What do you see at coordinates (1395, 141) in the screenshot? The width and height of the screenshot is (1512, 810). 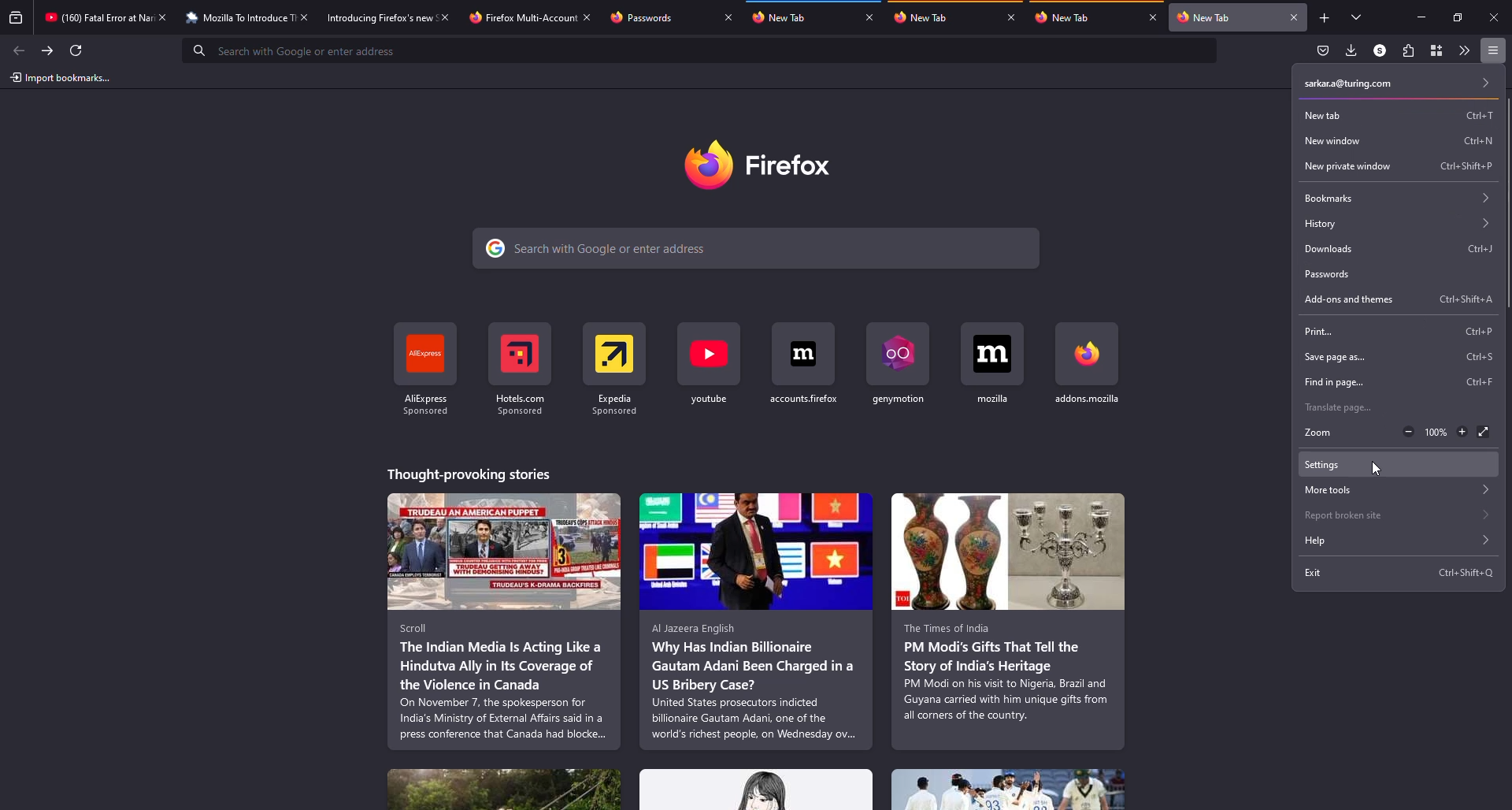 I see `new window` at bounding box center [1395, 141].